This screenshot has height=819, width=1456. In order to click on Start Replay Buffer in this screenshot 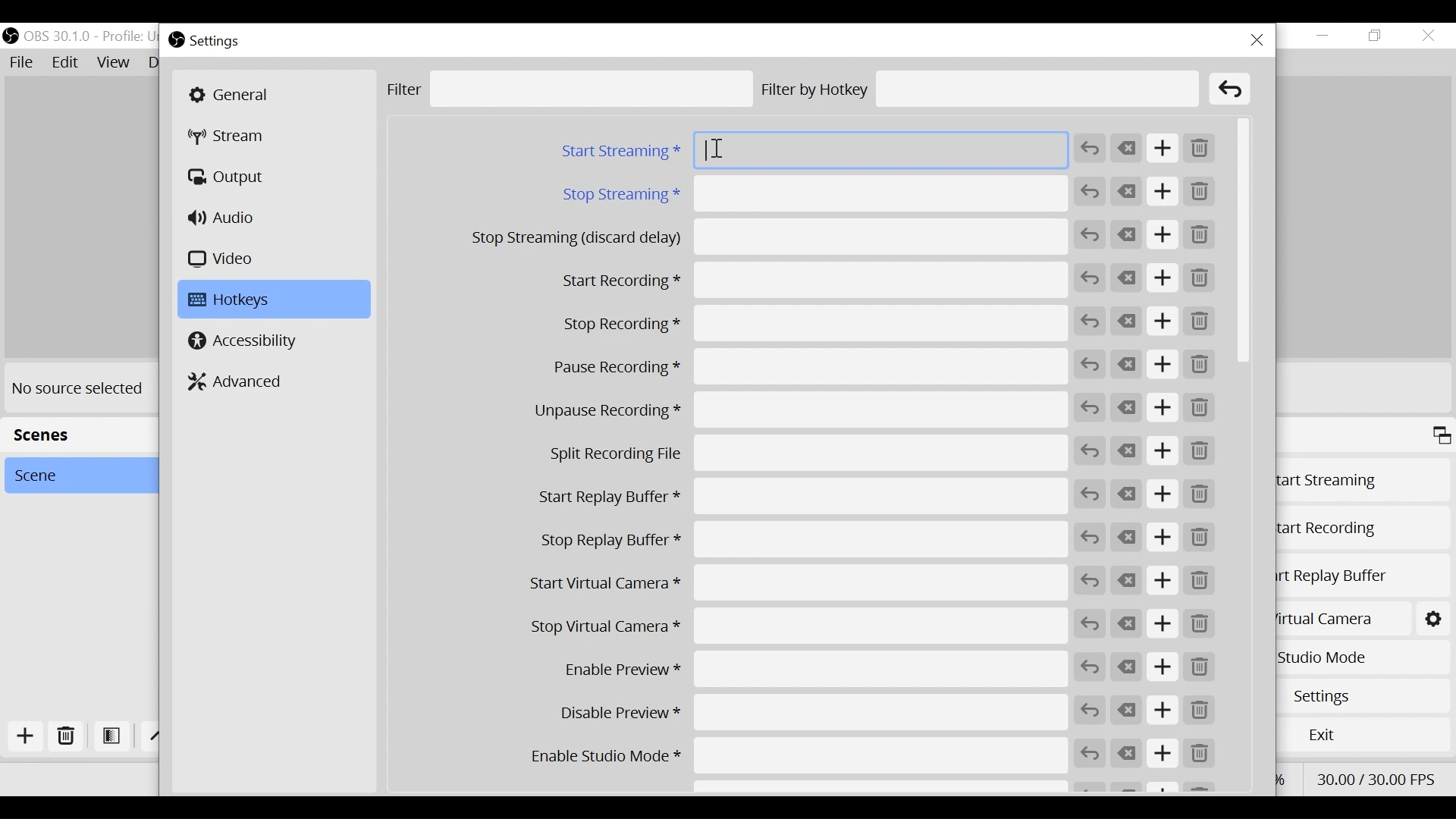, I will do `click(1362, 576)`.